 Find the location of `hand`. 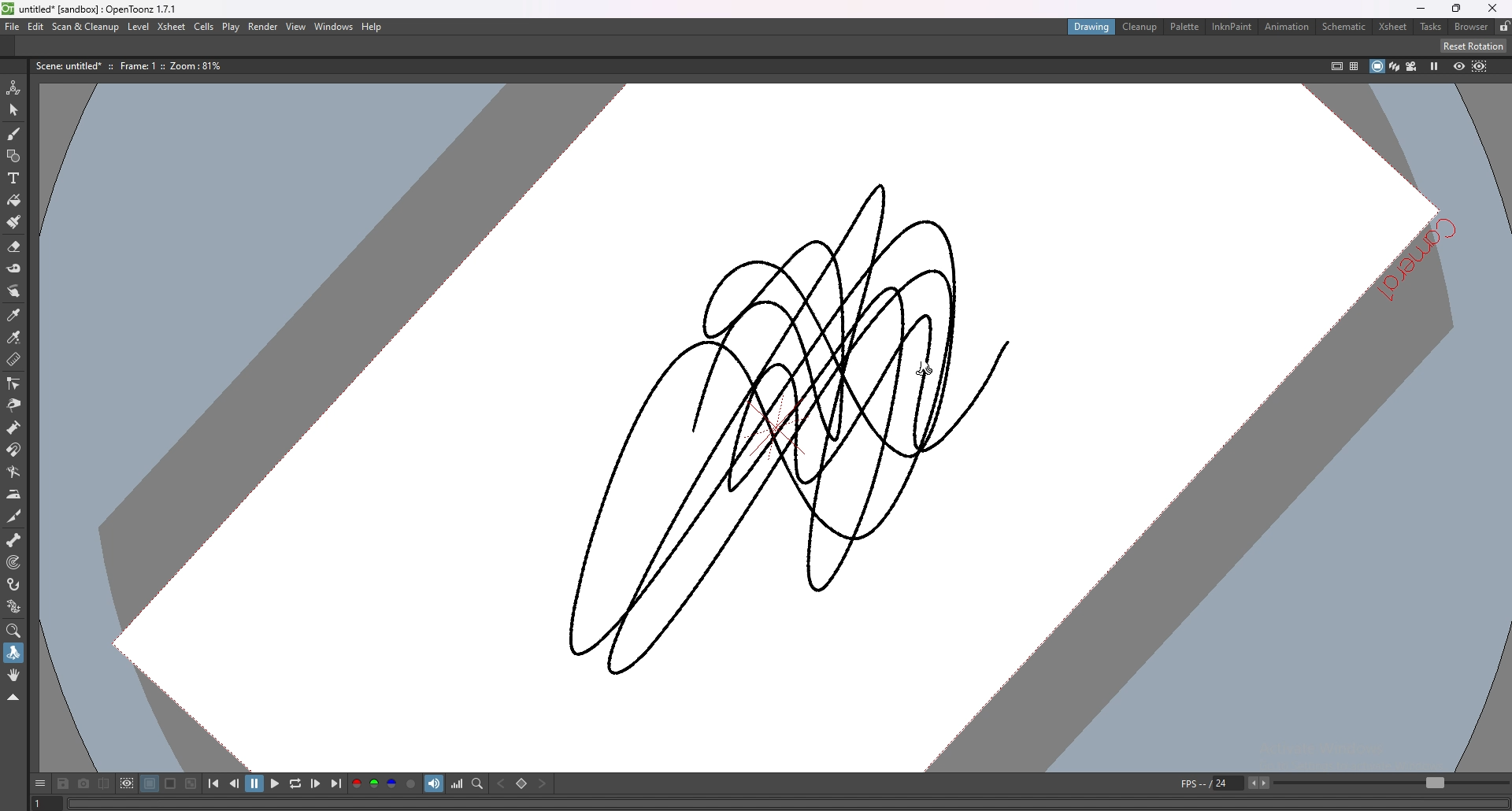

hand is located at coordinates (13, 675).